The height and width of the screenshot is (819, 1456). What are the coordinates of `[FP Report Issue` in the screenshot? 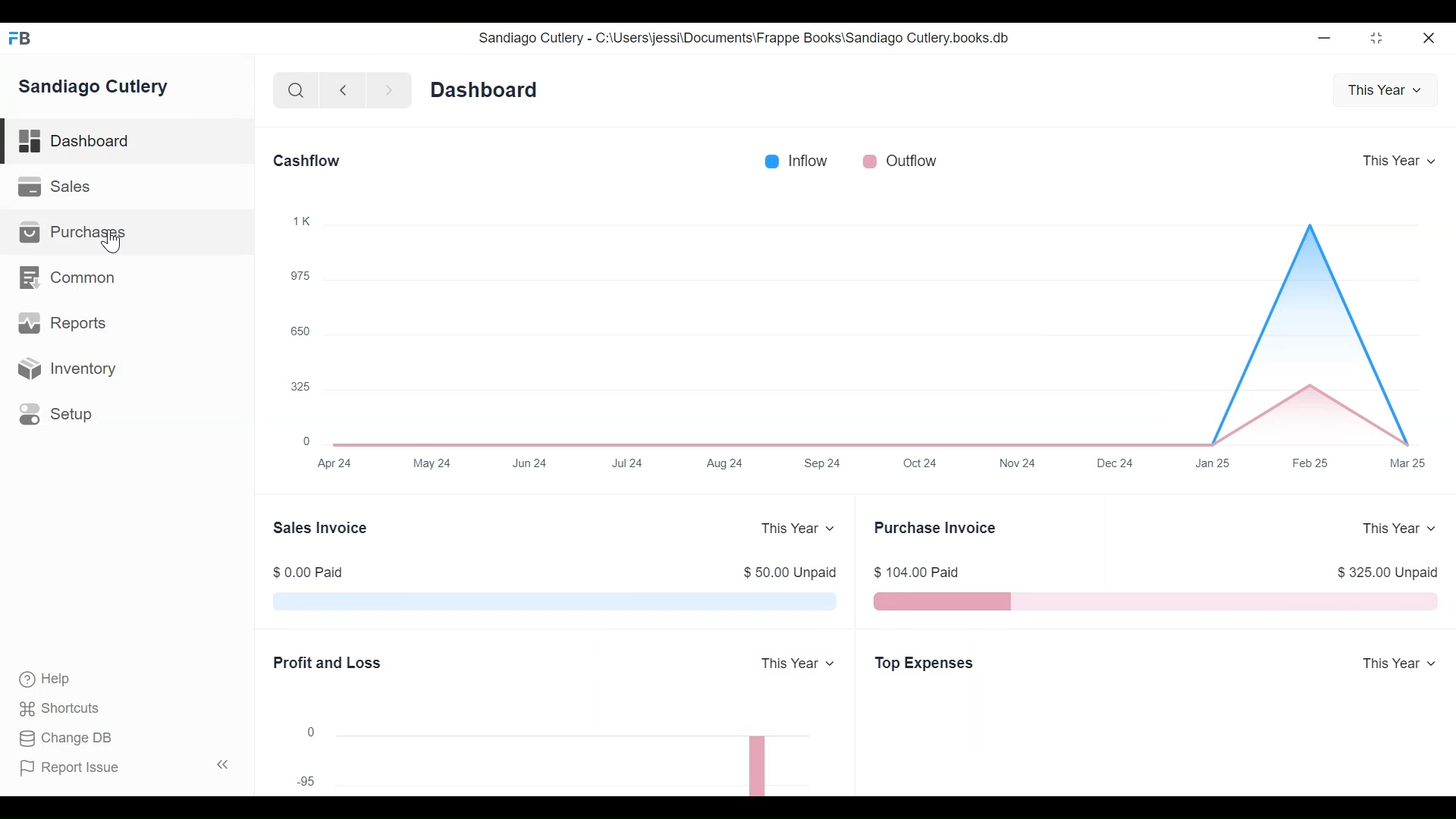 It's located at (74, 772).